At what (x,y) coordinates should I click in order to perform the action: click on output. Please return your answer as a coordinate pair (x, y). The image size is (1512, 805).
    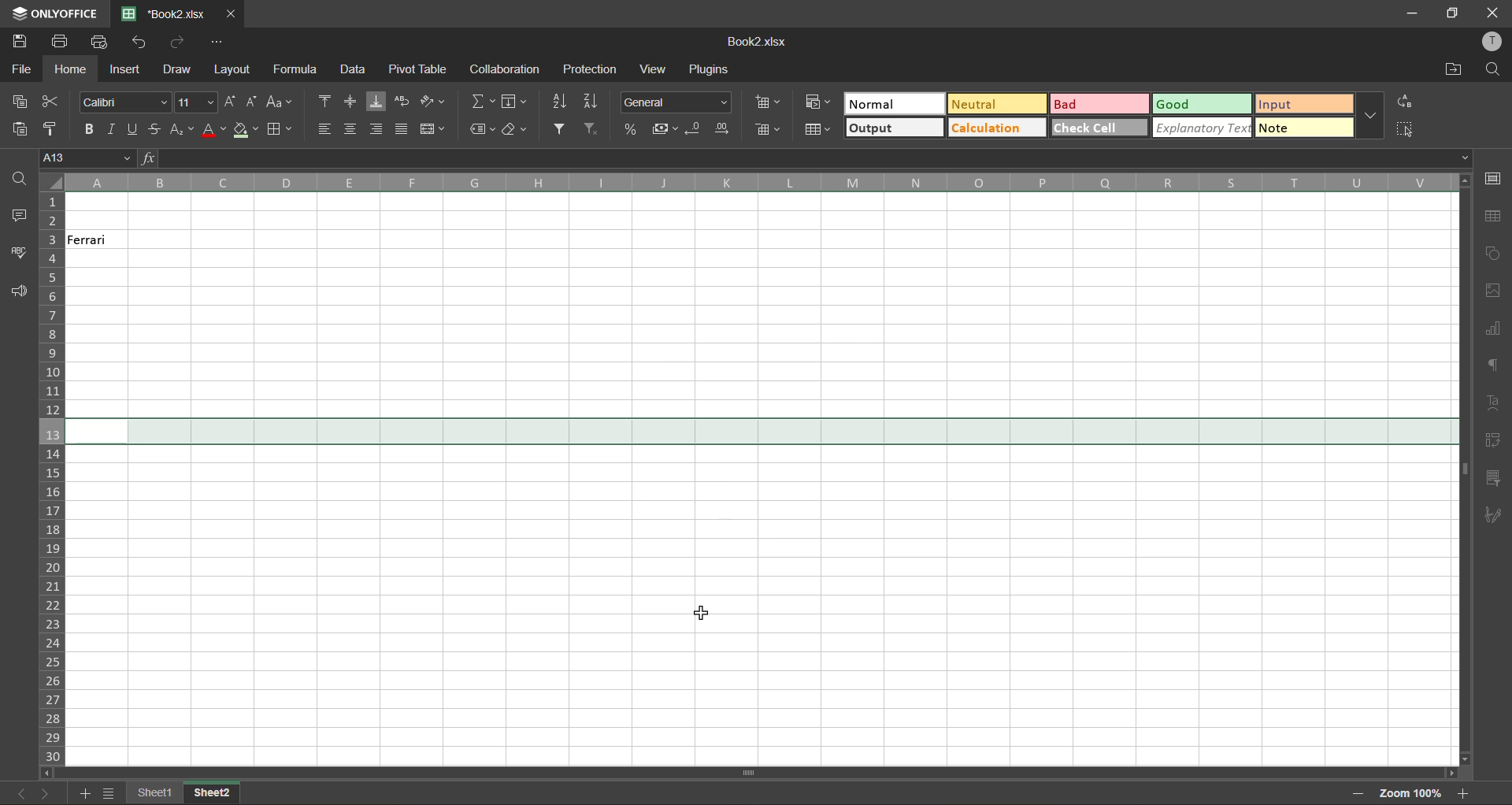
    Looking at the image, I should click on (893, 127).